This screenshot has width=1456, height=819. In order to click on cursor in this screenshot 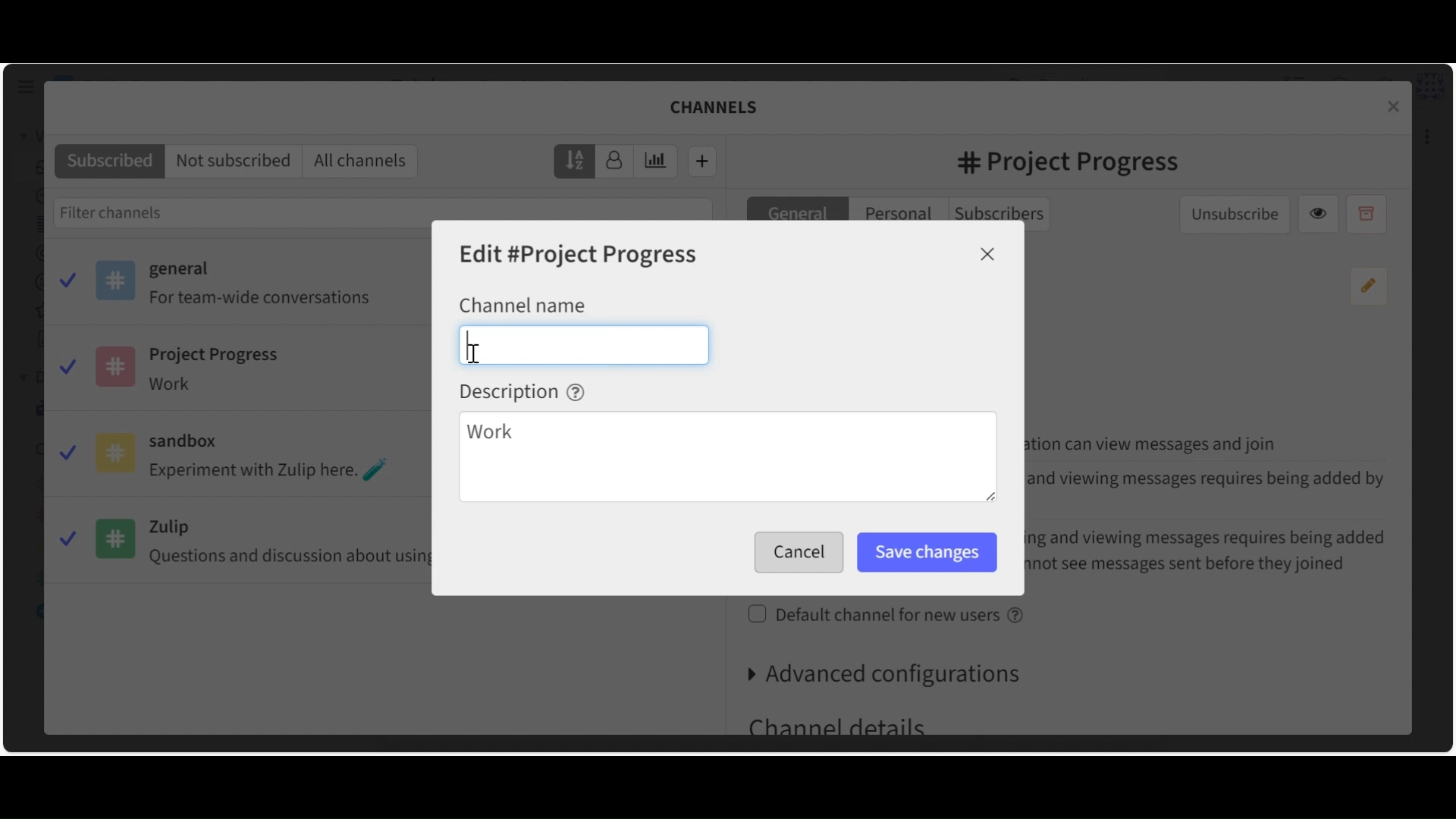, I will do `click(478, 357)`.